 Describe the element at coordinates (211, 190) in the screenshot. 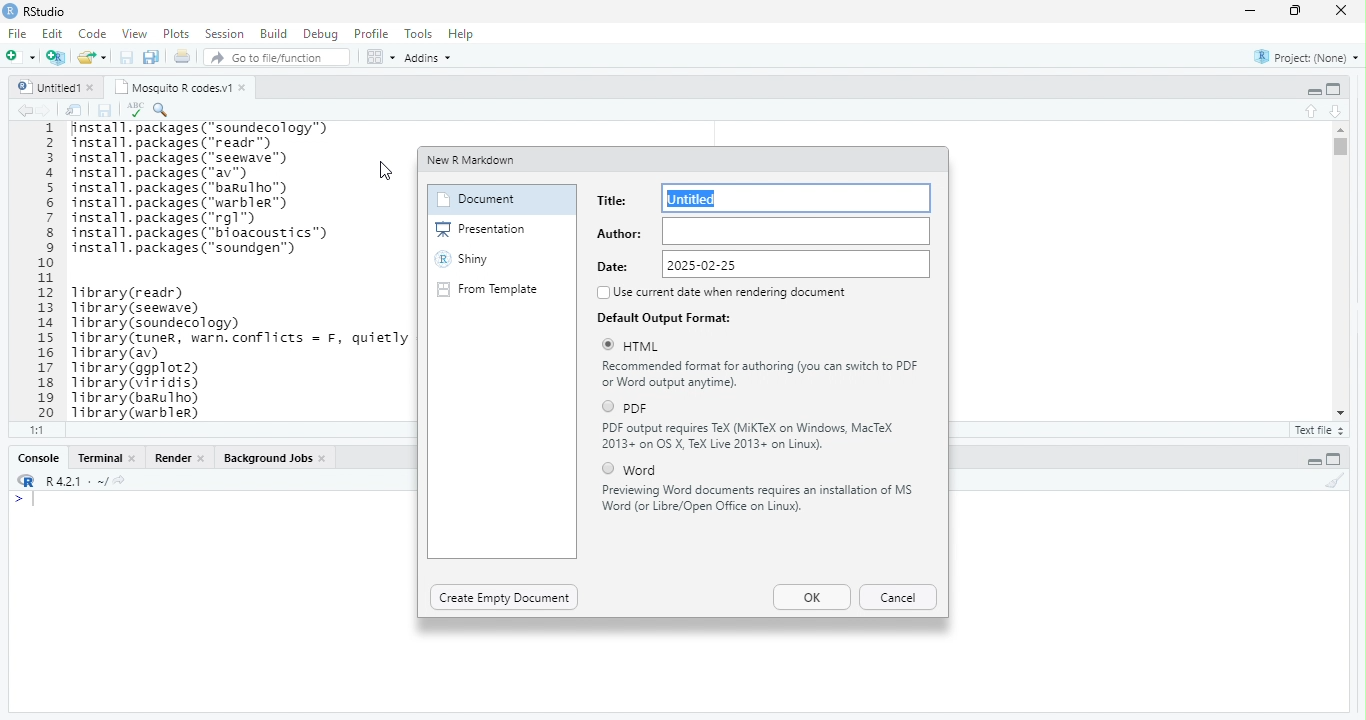

I see `install. packages ("soundecology”)install. packages ("readr")install. packages ("seewave™)install. packages ("av")install. packages("barulho")install. packages("warbler")install. packages("rgl”)install. packages("bioacoustics")install. packages ("soundgen")` at that location.